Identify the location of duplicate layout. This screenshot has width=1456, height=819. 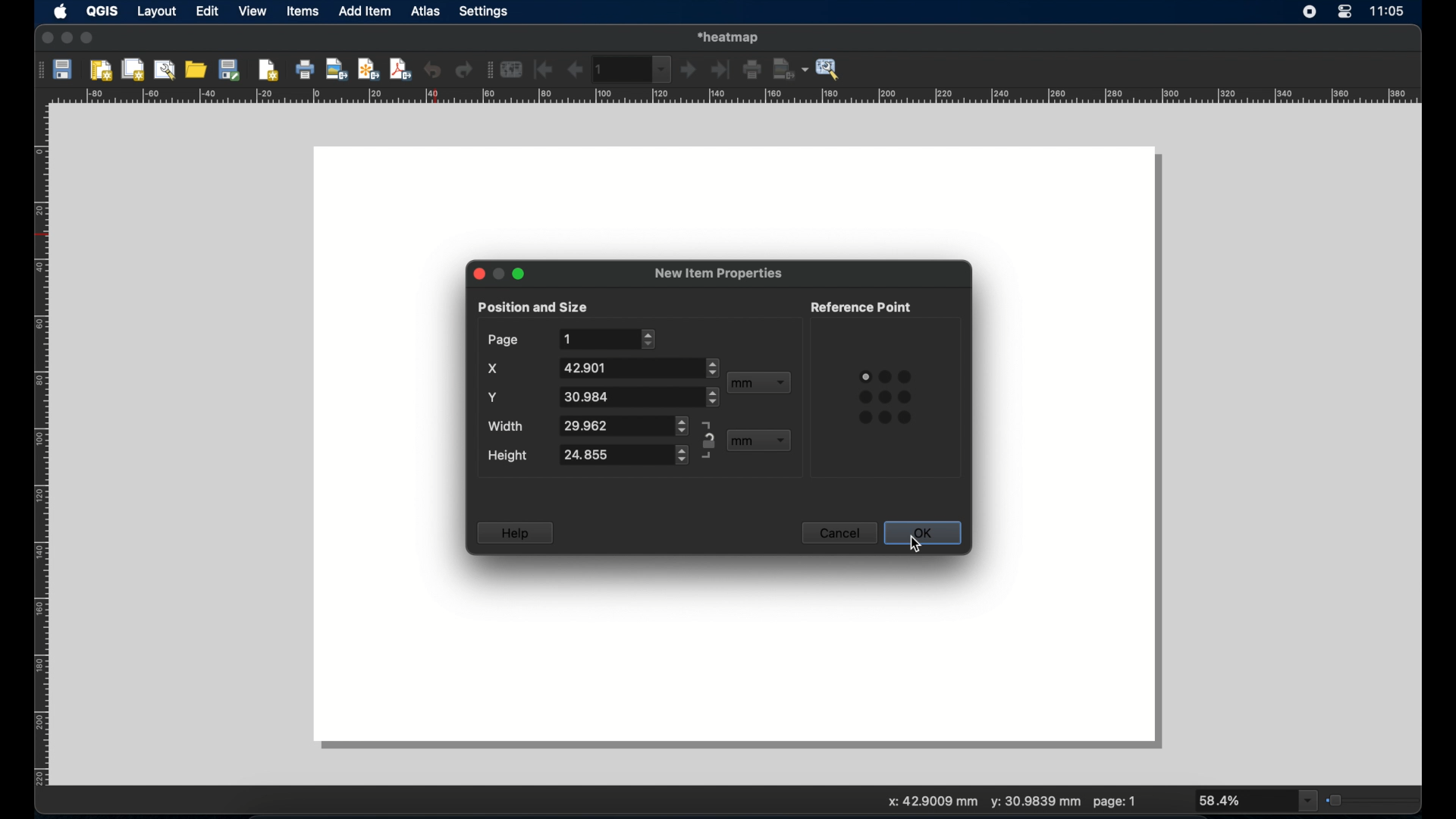
(134, 69).